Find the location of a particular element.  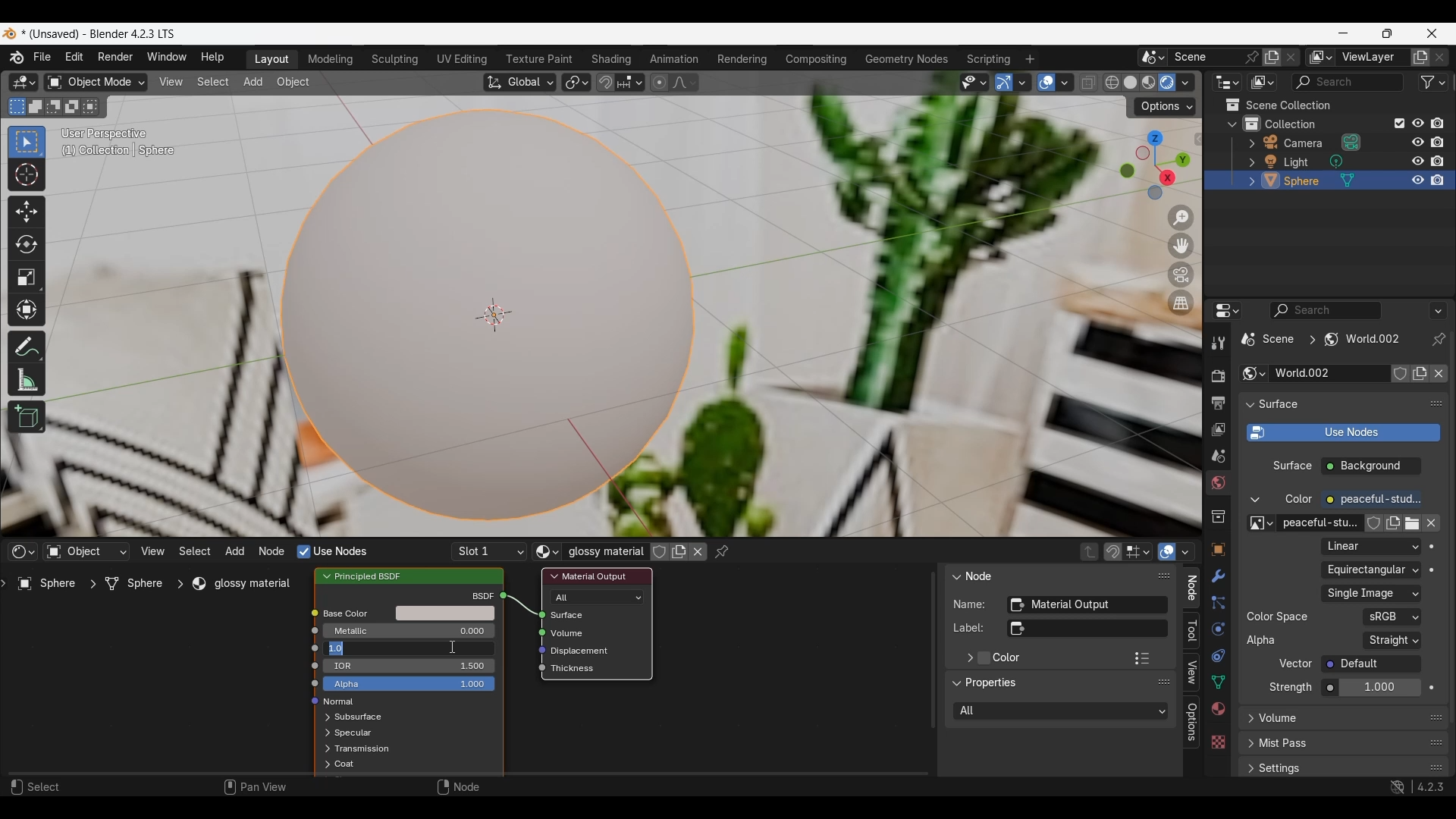

Volume  is located at coordinates (1280, 718).